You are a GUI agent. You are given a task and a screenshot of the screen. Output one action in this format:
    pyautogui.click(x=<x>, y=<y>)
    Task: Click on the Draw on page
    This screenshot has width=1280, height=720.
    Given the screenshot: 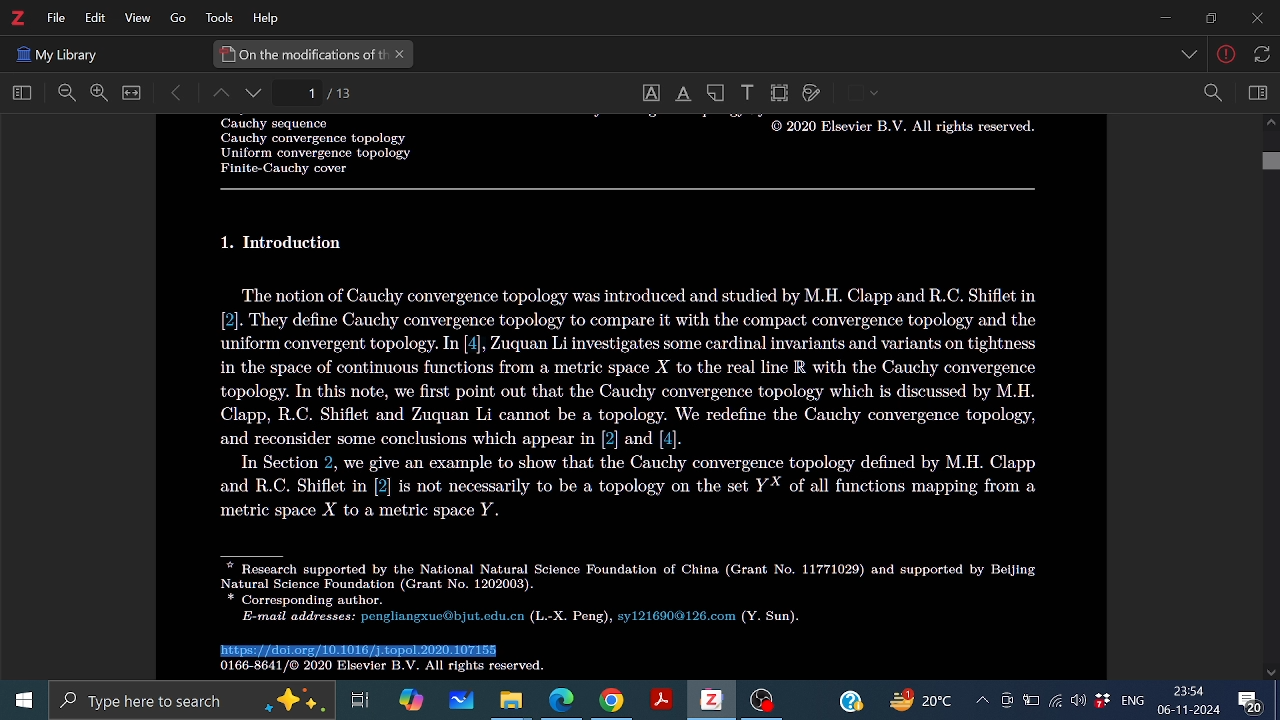 What is the action you would take?
    pyautogui.click(x=812, y=94)
    